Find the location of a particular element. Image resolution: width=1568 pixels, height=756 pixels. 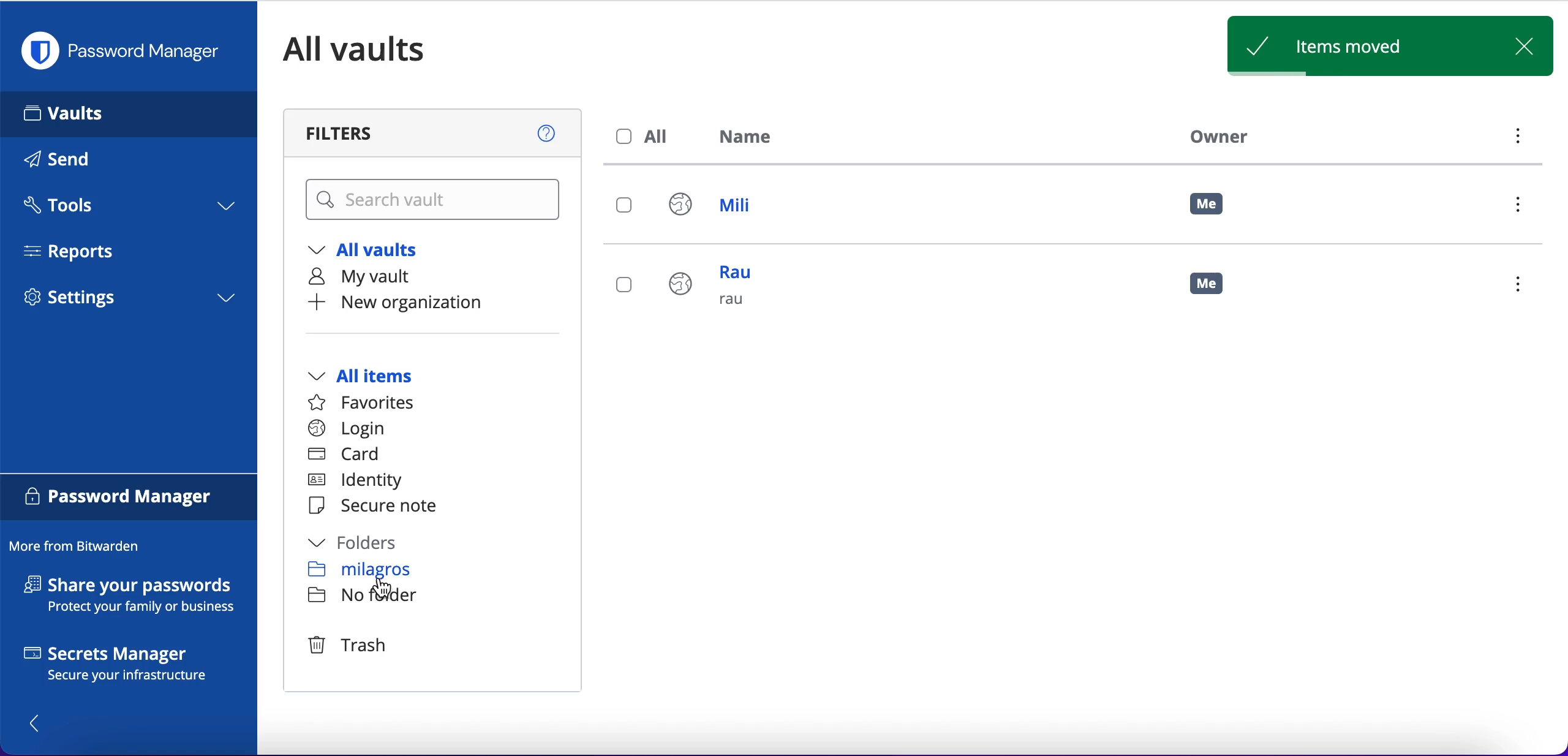

mili is located at coordinates (722, 208).